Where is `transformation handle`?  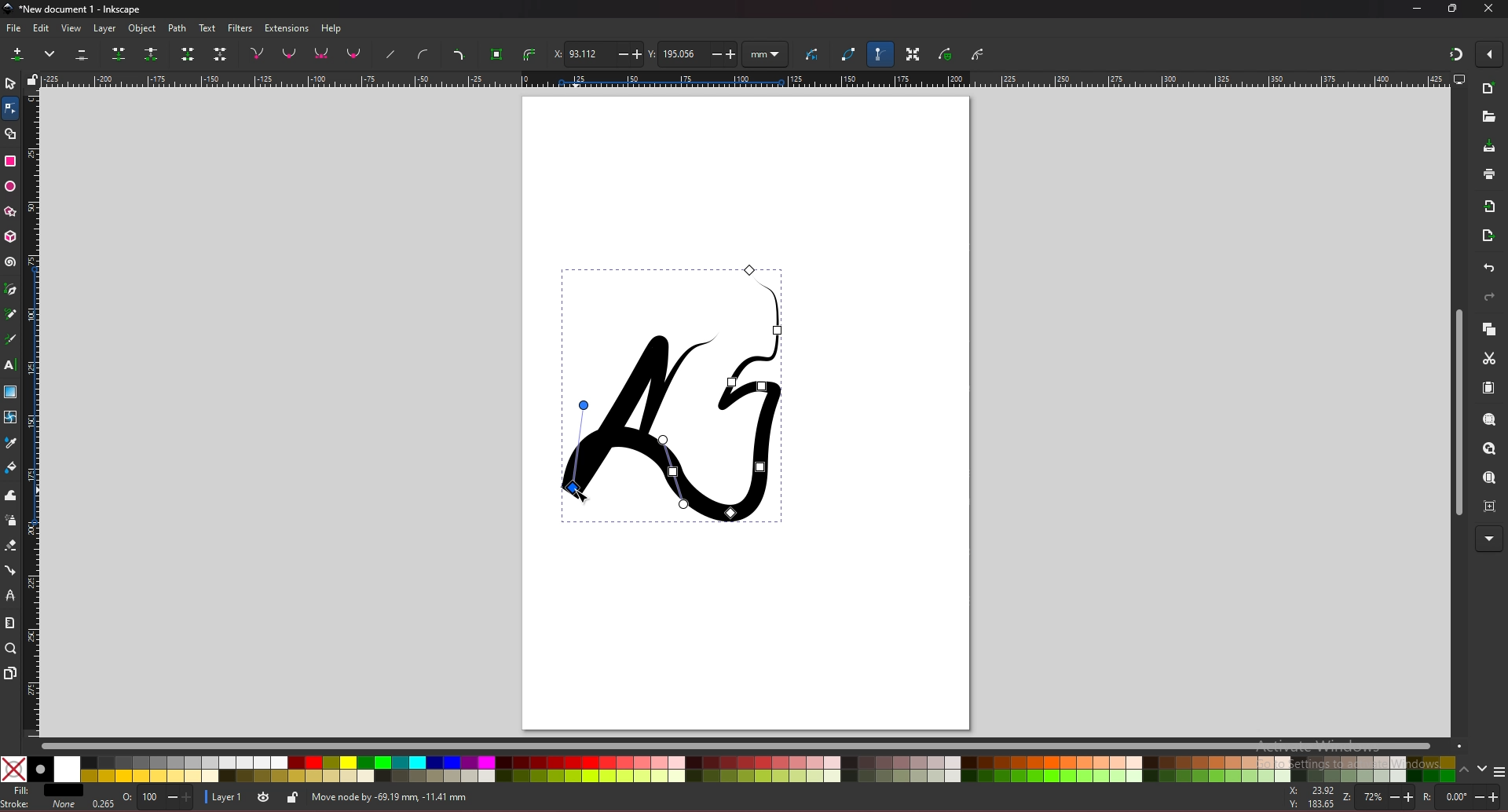 transformation handle is located at coordinates (913, 53).